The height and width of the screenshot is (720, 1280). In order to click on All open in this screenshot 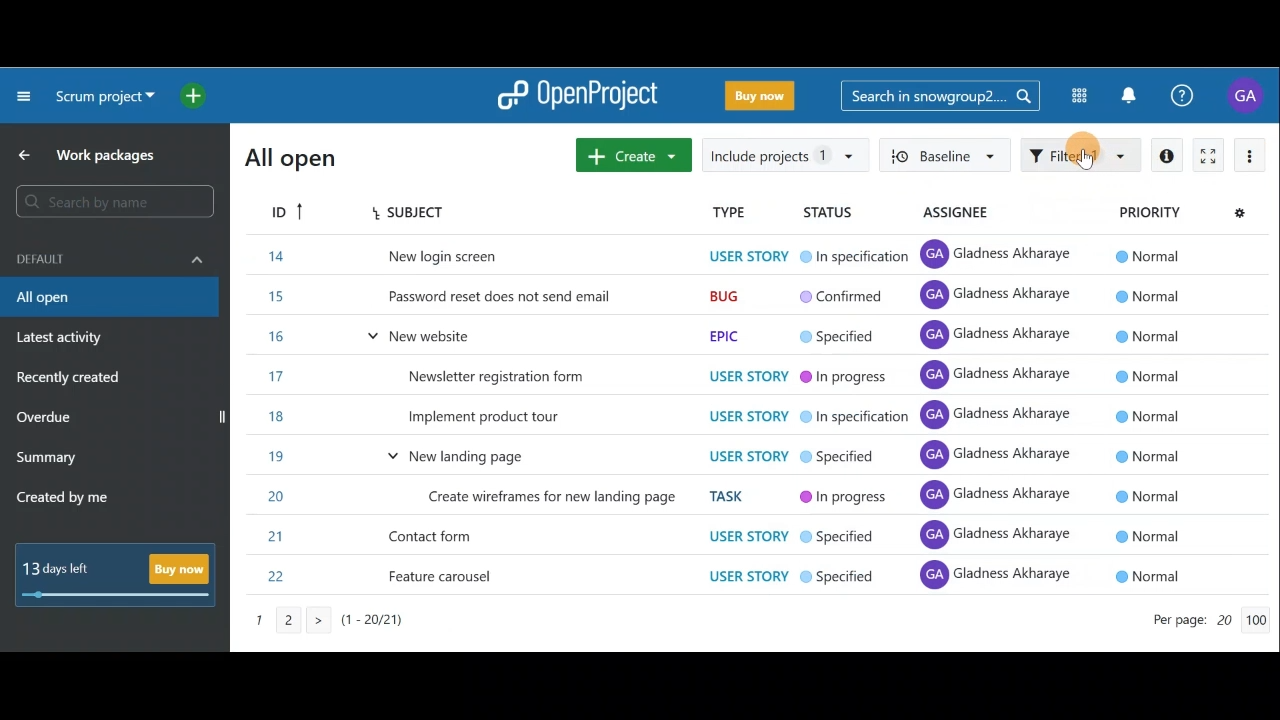, I will do `click(108, 298)`.